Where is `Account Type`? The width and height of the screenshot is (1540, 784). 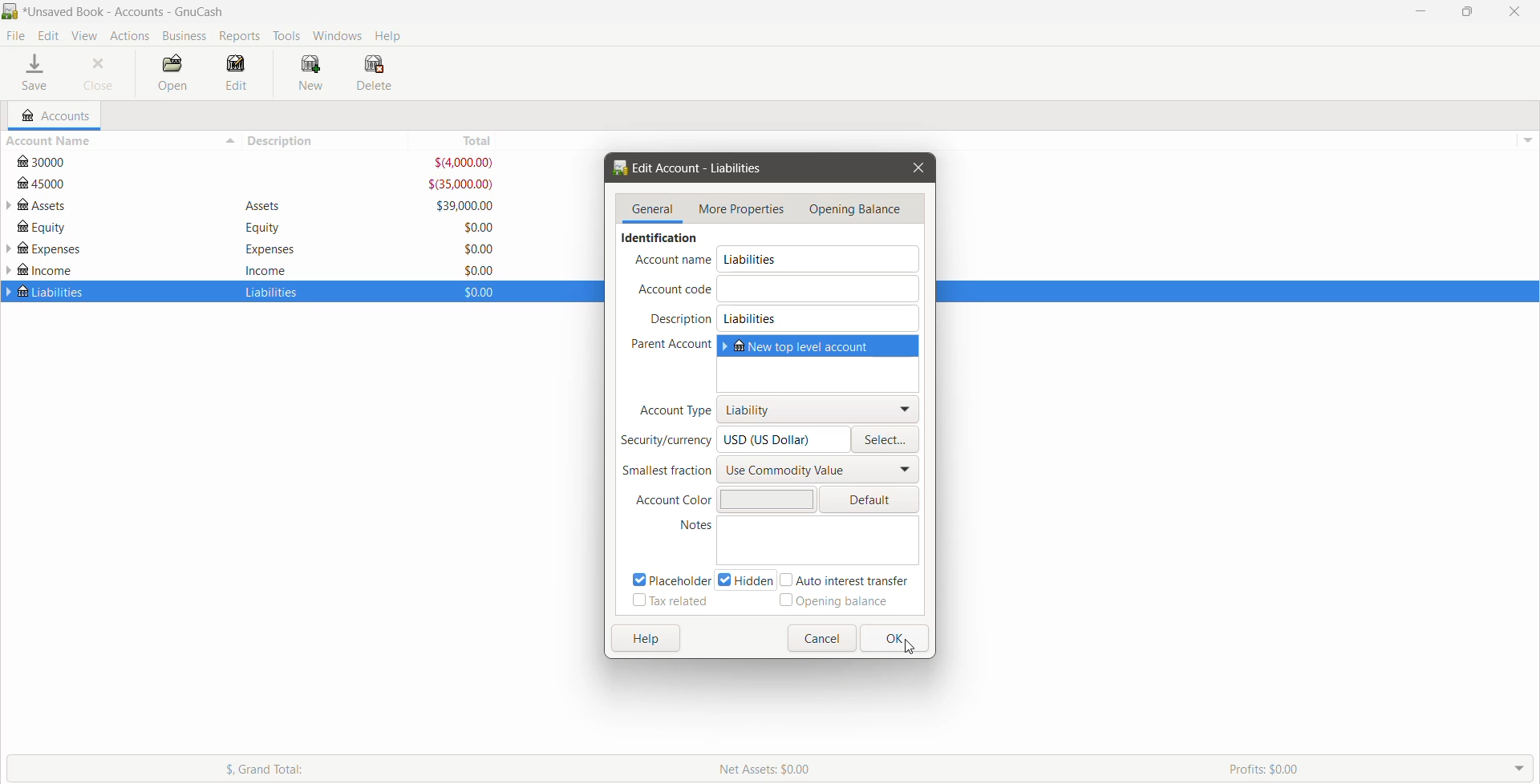 Account Type is located at coordinates (672, 410).